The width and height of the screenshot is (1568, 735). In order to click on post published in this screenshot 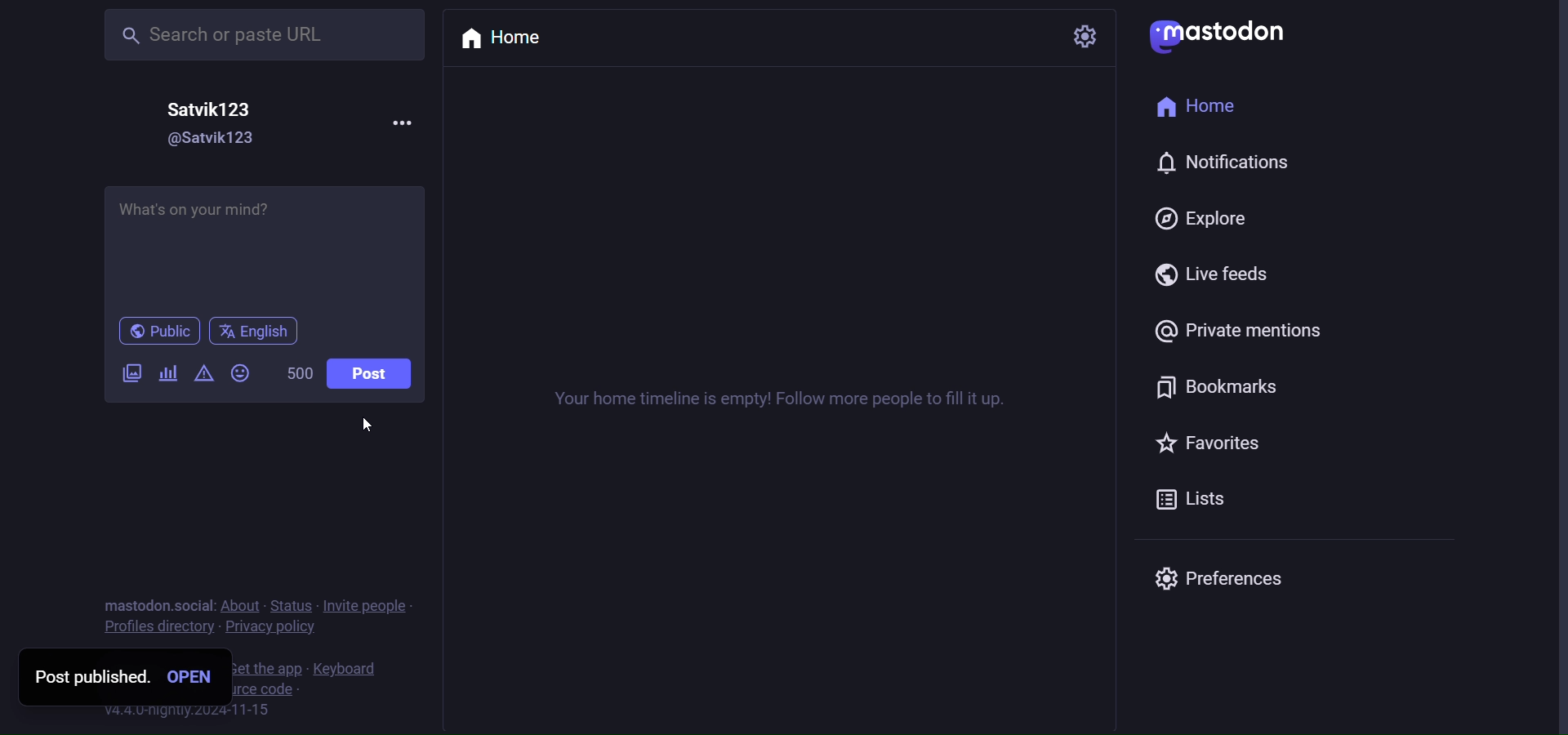, I will do `click(85, 675)`.